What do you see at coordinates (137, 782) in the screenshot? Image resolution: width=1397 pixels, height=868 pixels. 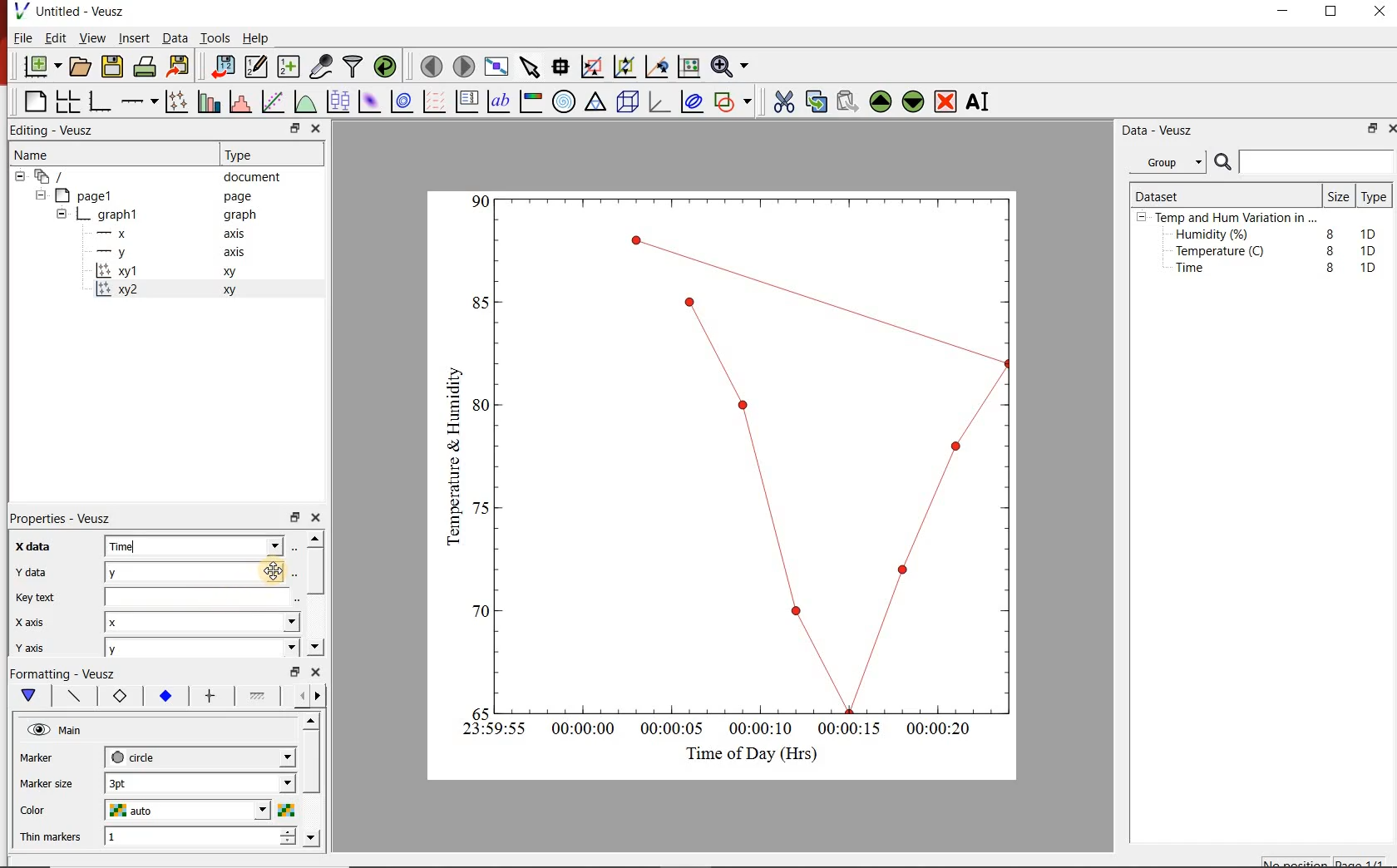 I see `3pt` at bounding box center [137, 782].